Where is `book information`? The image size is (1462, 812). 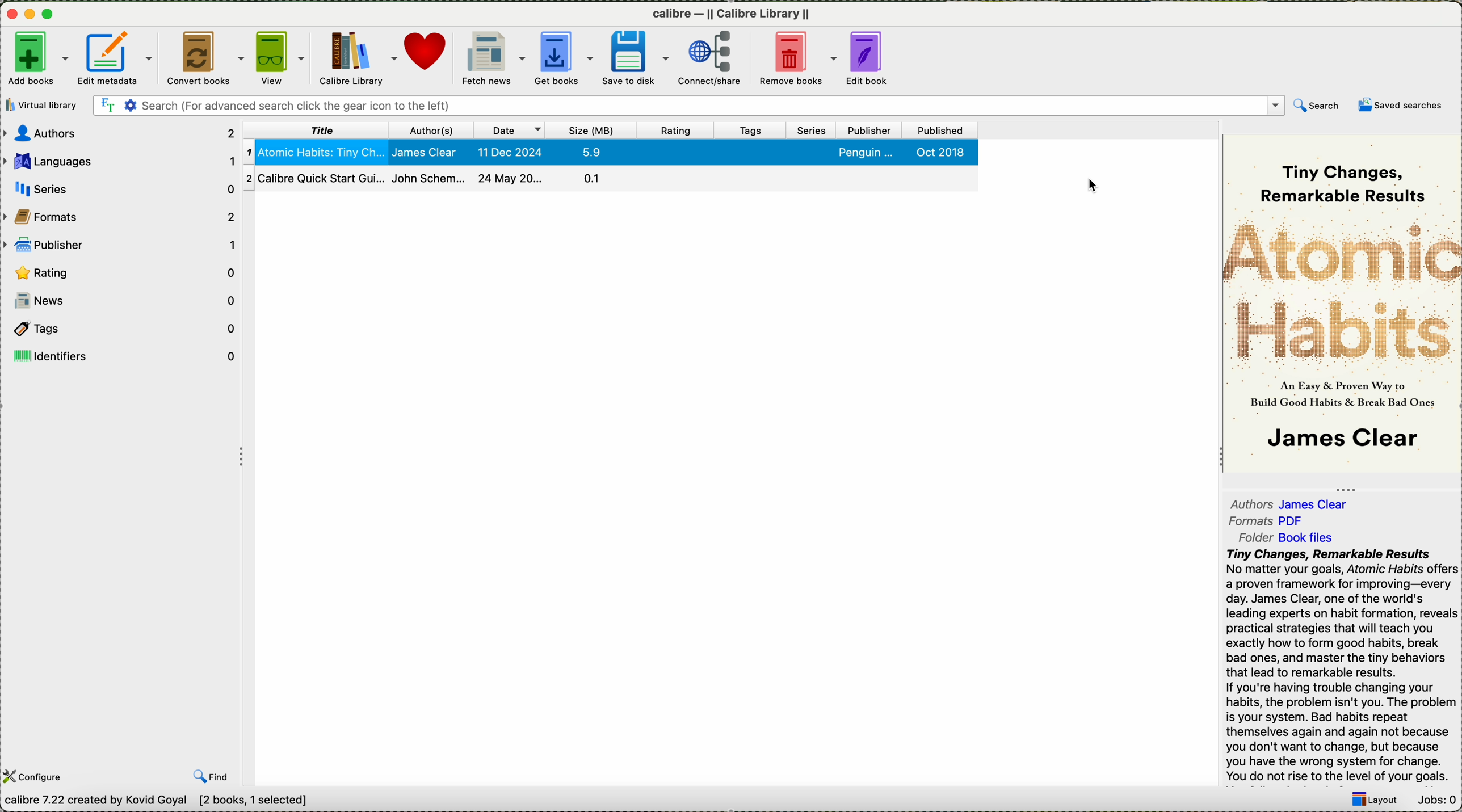
book information is located at coordinates (1341, 665).